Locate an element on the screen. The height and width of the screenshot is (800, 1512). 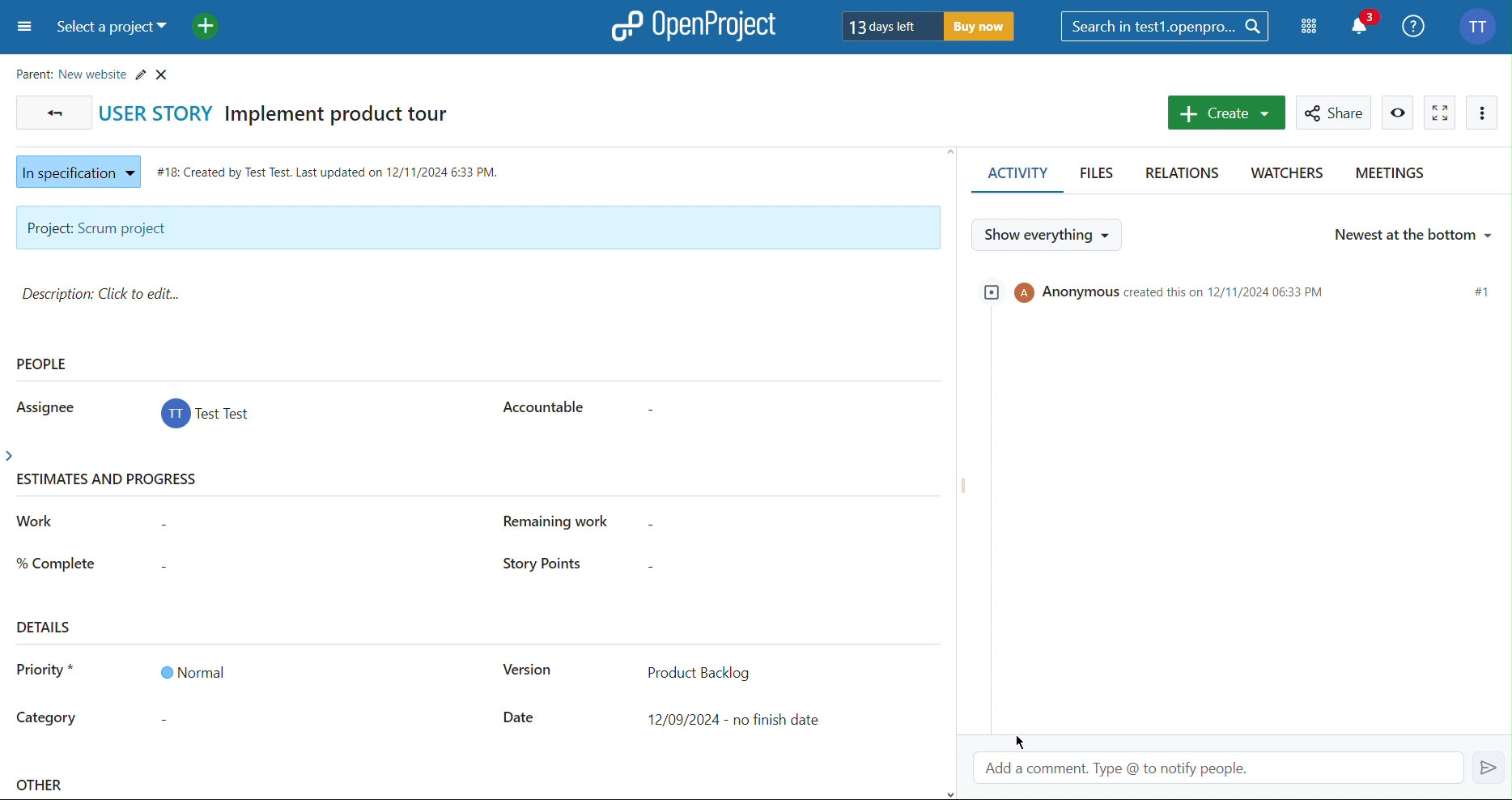
Newest at the bottom is located at coordinates (1412, 232).